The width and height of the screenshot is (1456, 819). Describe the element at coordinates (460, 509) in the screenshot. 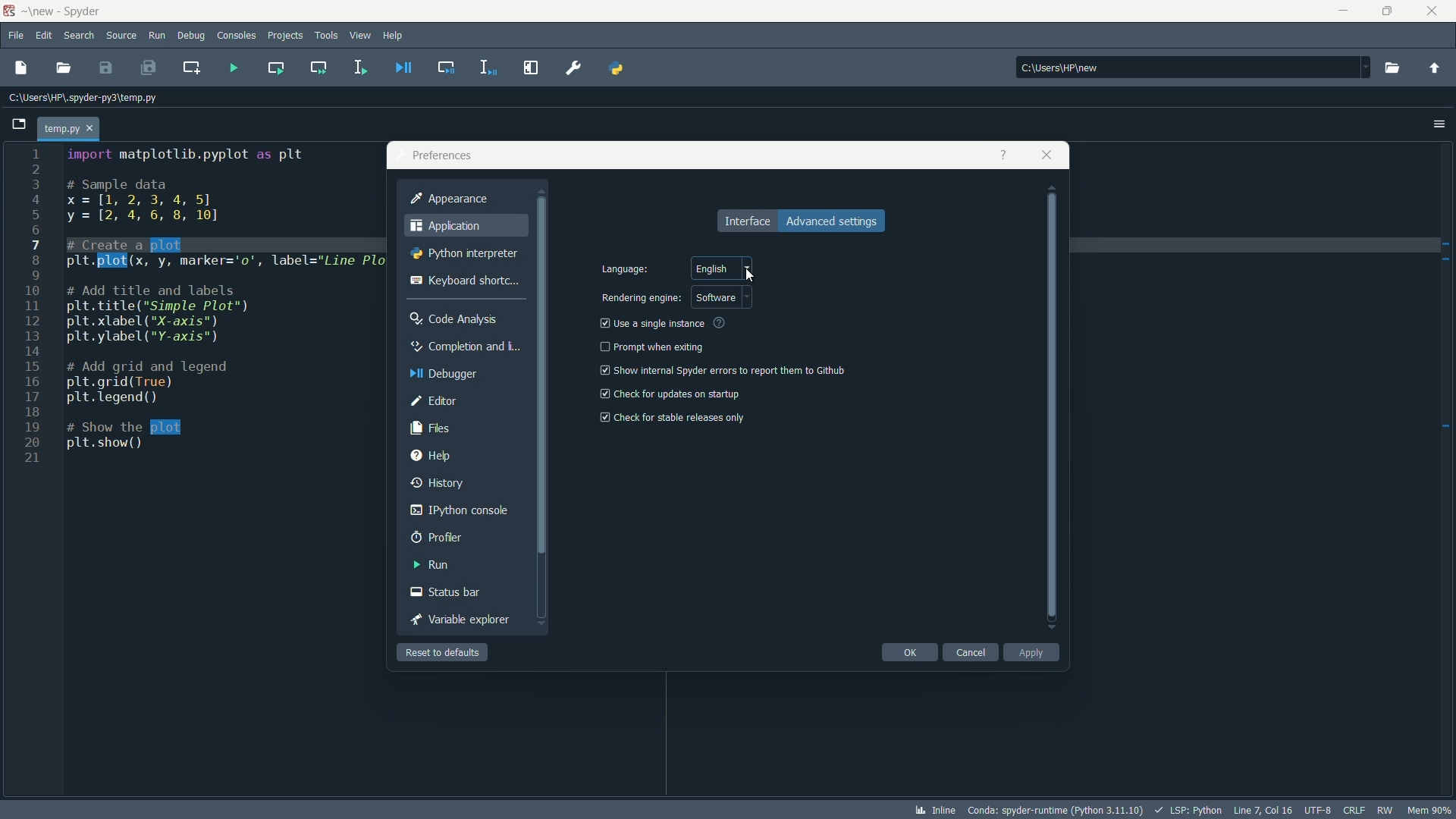

I see `ipython console` at that location.